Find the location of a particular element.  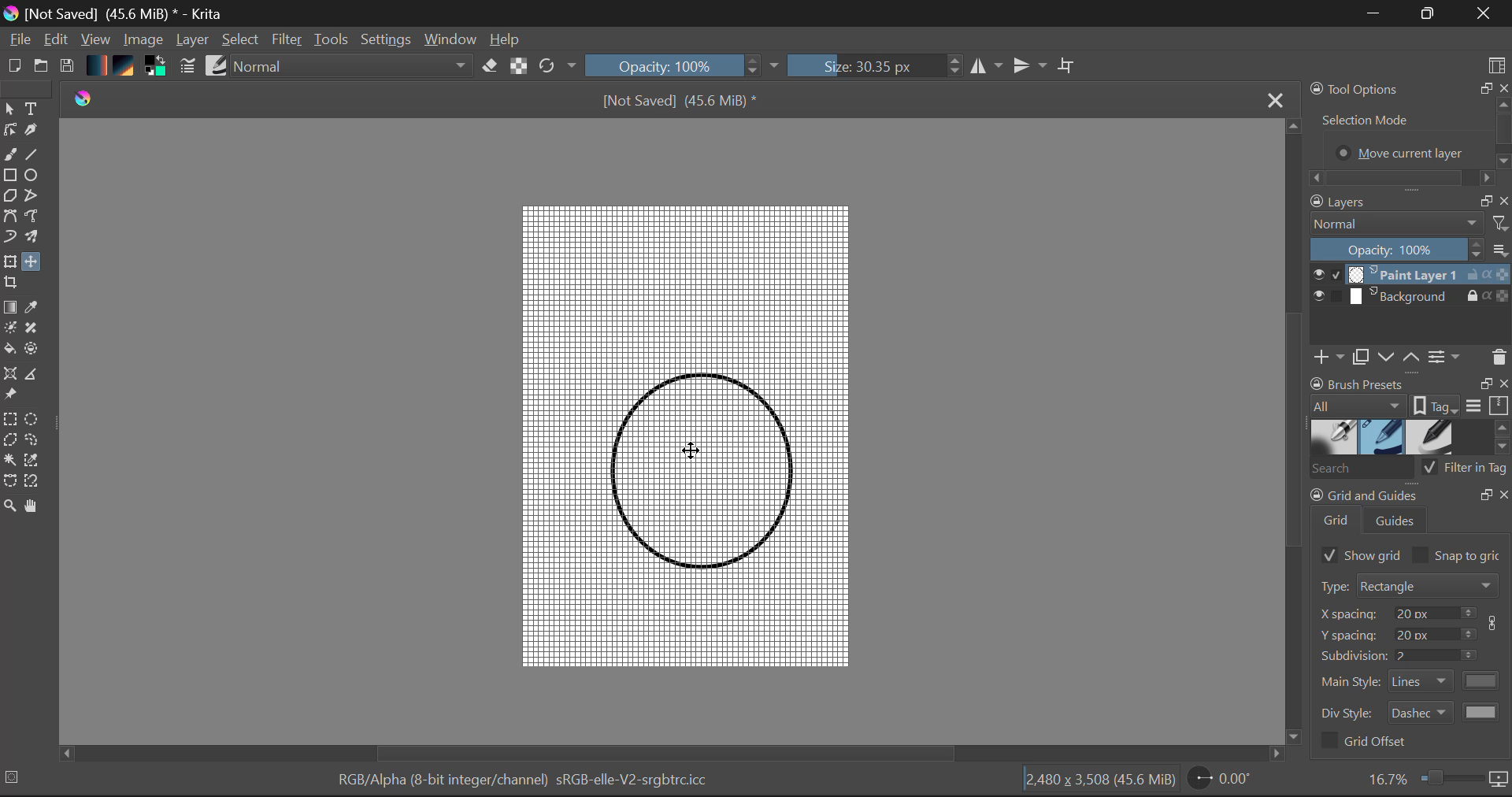

Color Information is located at coordinates (531, 783).